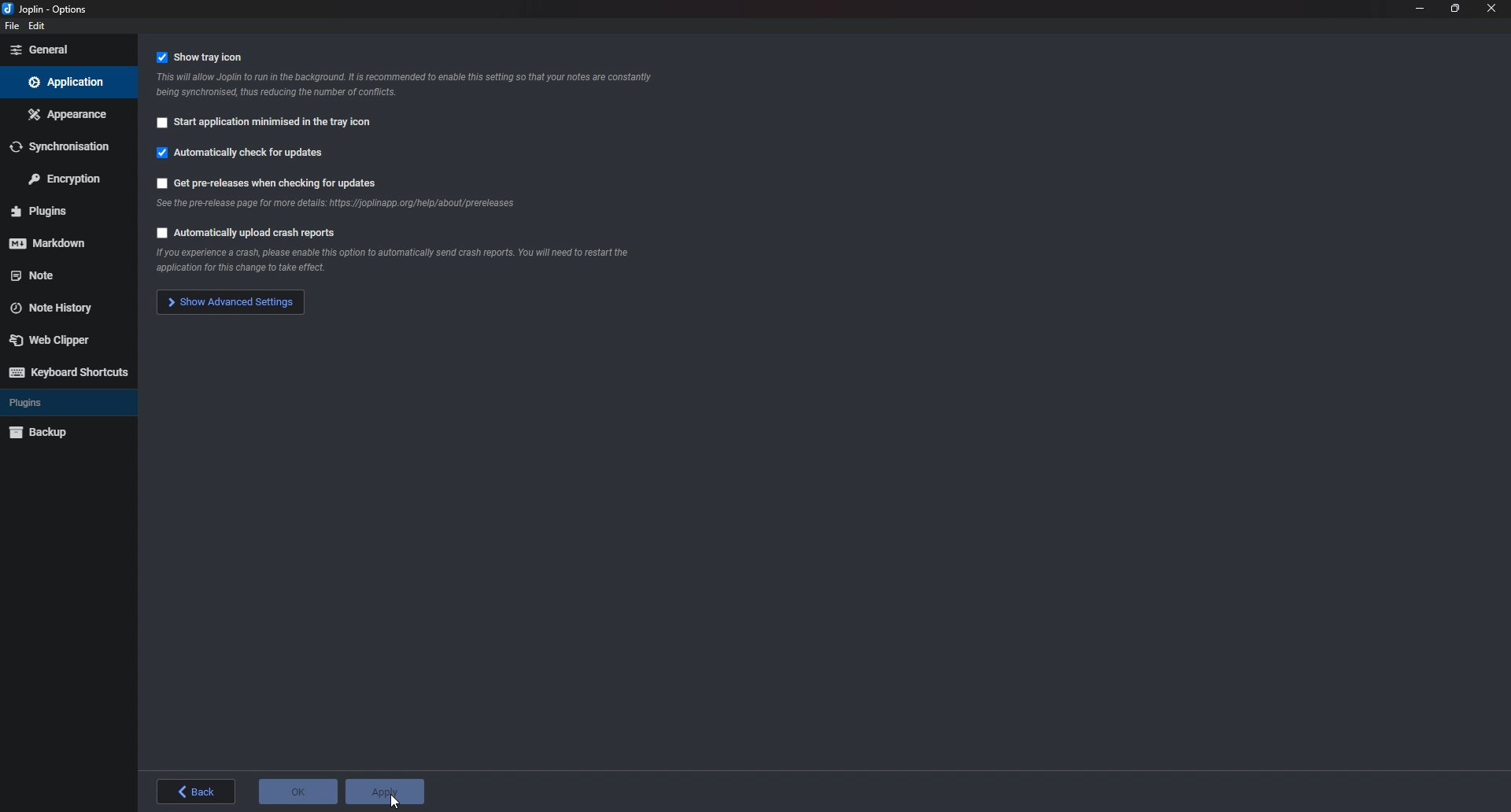 The image size is (1511, 812). I want to click on Appearance, so click(67, 113).